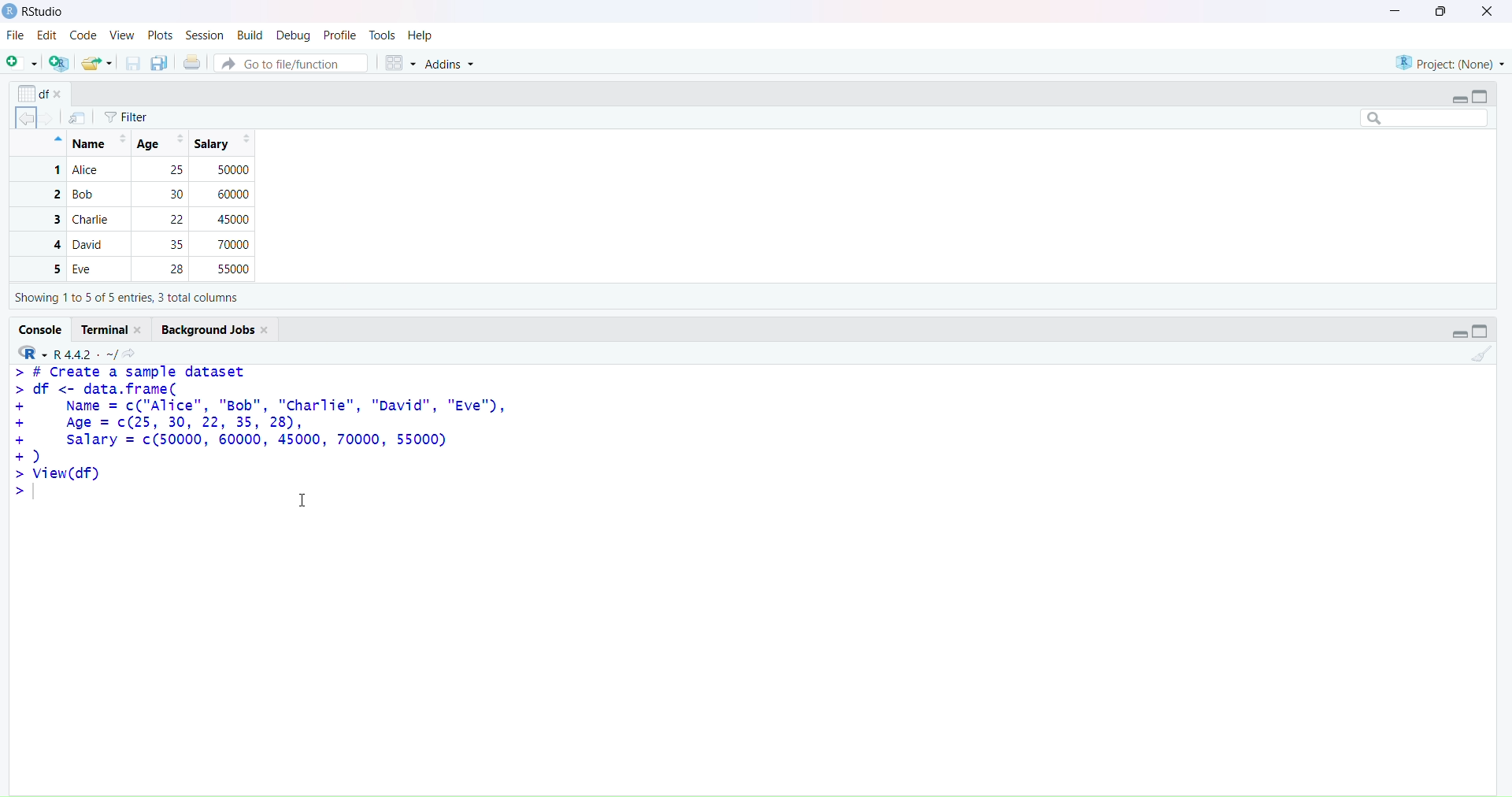 This screenshot has height=797, width=1512. Describe the element at coordinates (1486, 13) in the screenshot. I see `close` at that location.